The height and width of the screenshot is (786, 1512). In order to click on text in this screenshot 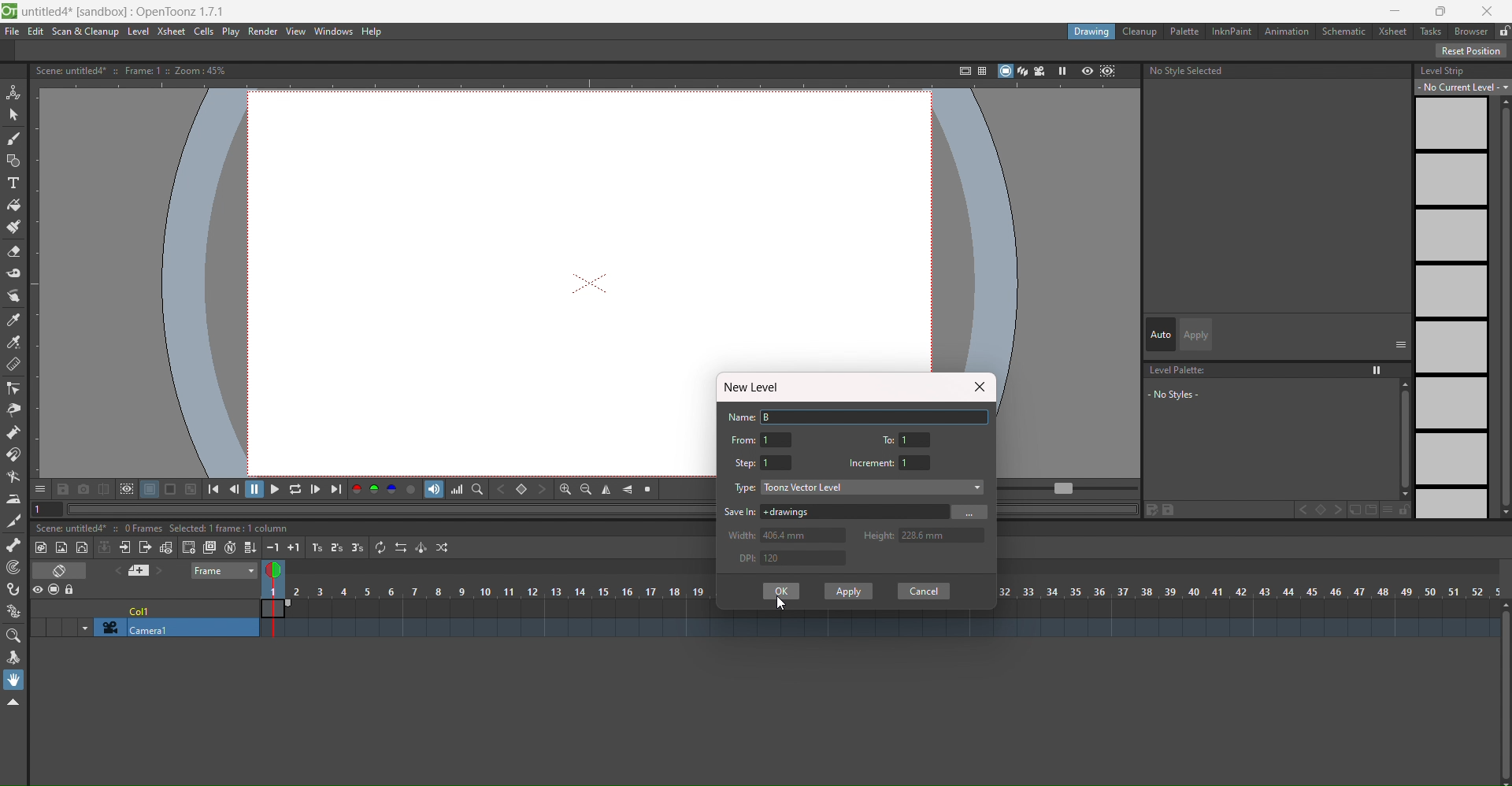, I will do `click(165, 528)`.